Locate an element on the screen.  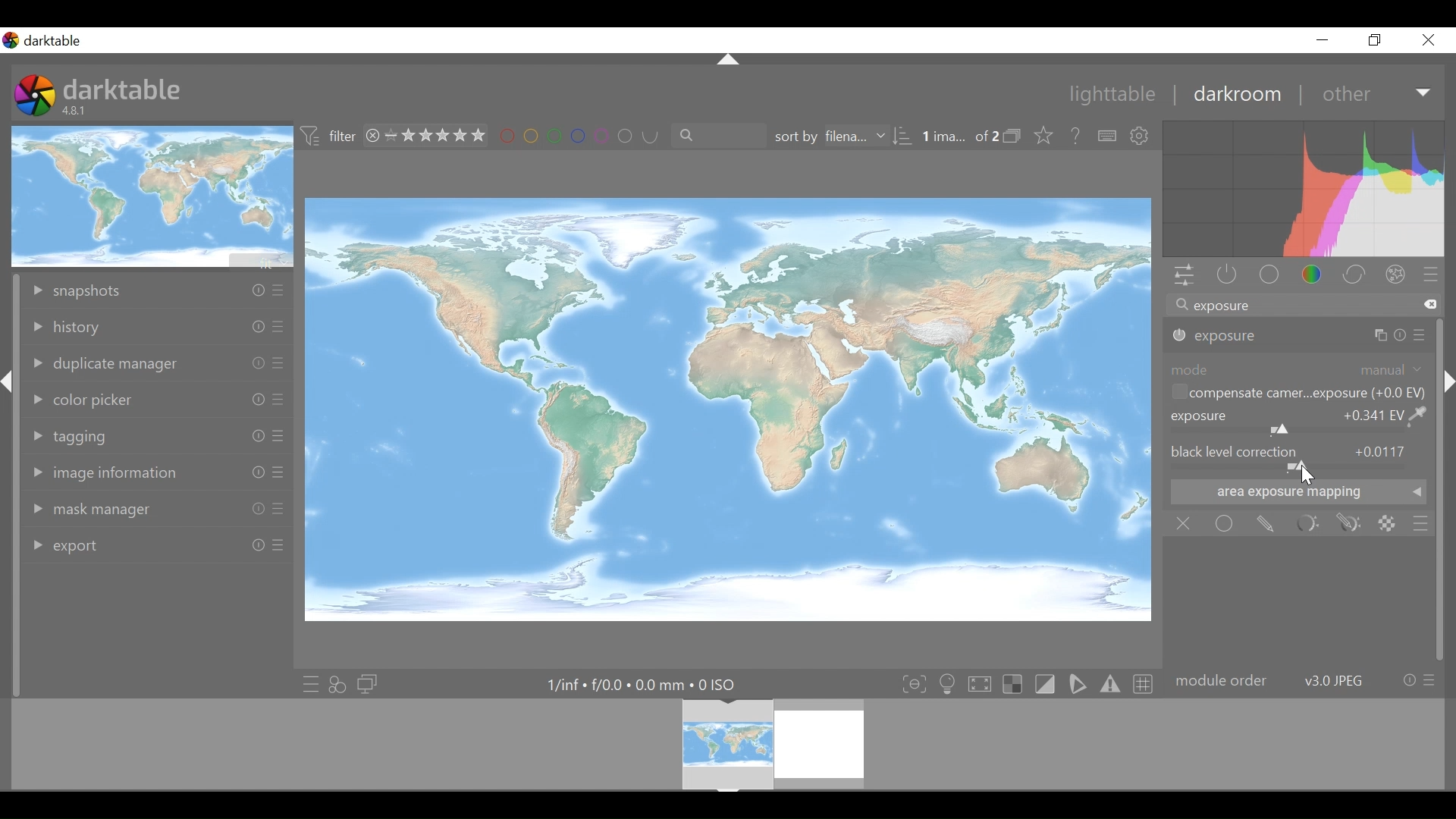
1/inf+f/00xmm*0ISO is located at coordinates (639, 685).